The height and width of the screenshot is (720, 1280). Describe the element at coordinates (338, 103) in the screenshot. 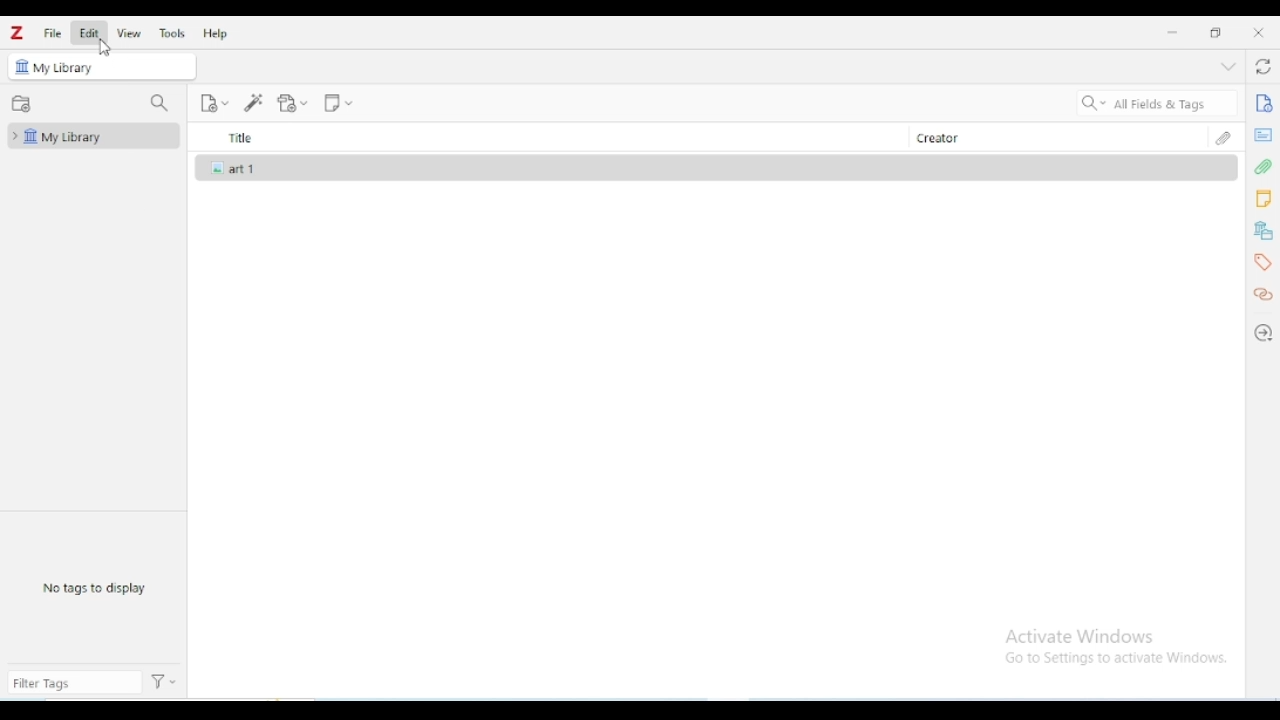

I see `new note` at that location.